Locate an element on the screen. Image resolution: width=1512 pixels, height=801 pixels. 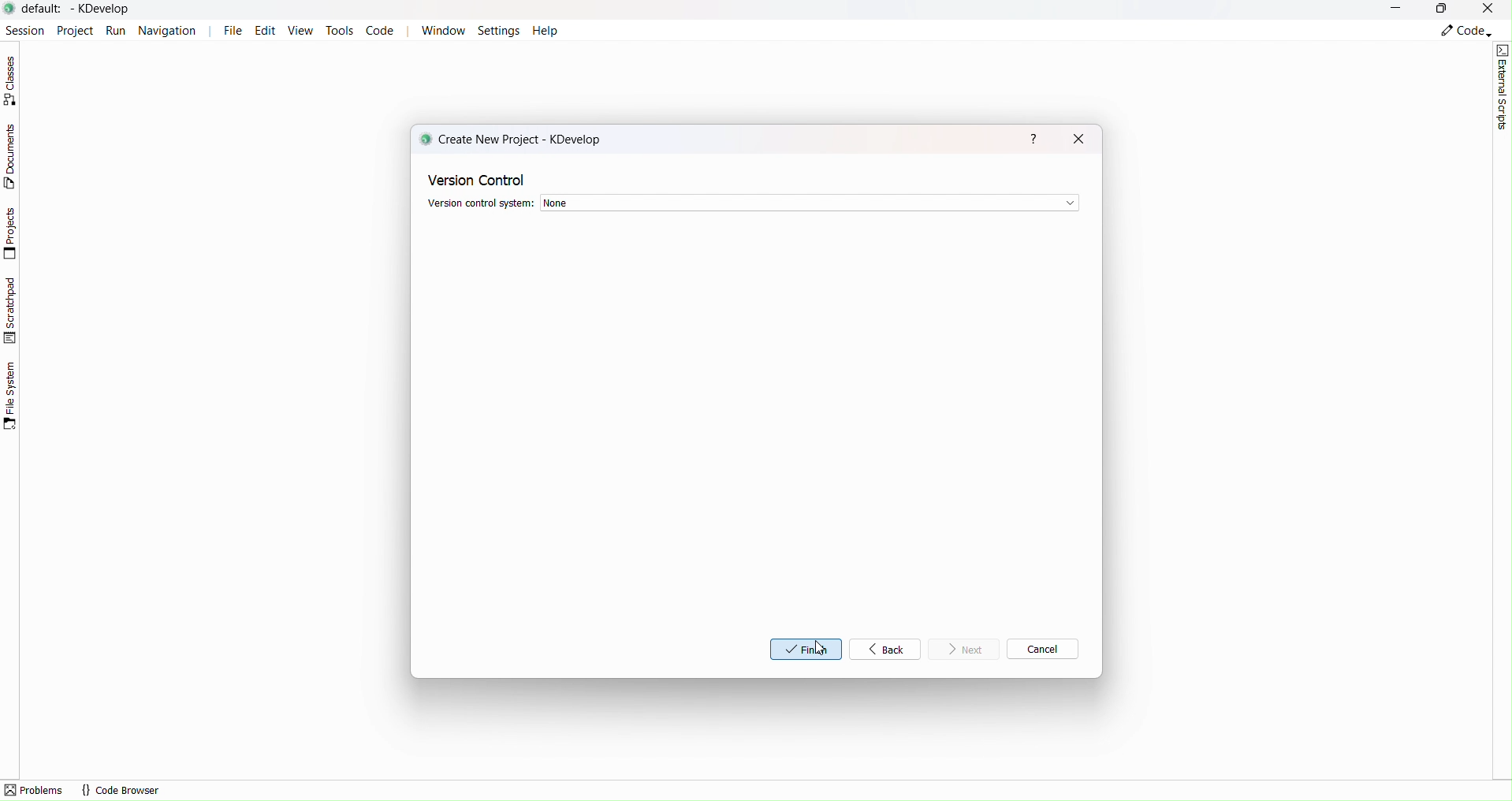
Navigation is located at coordinates (172, 30).